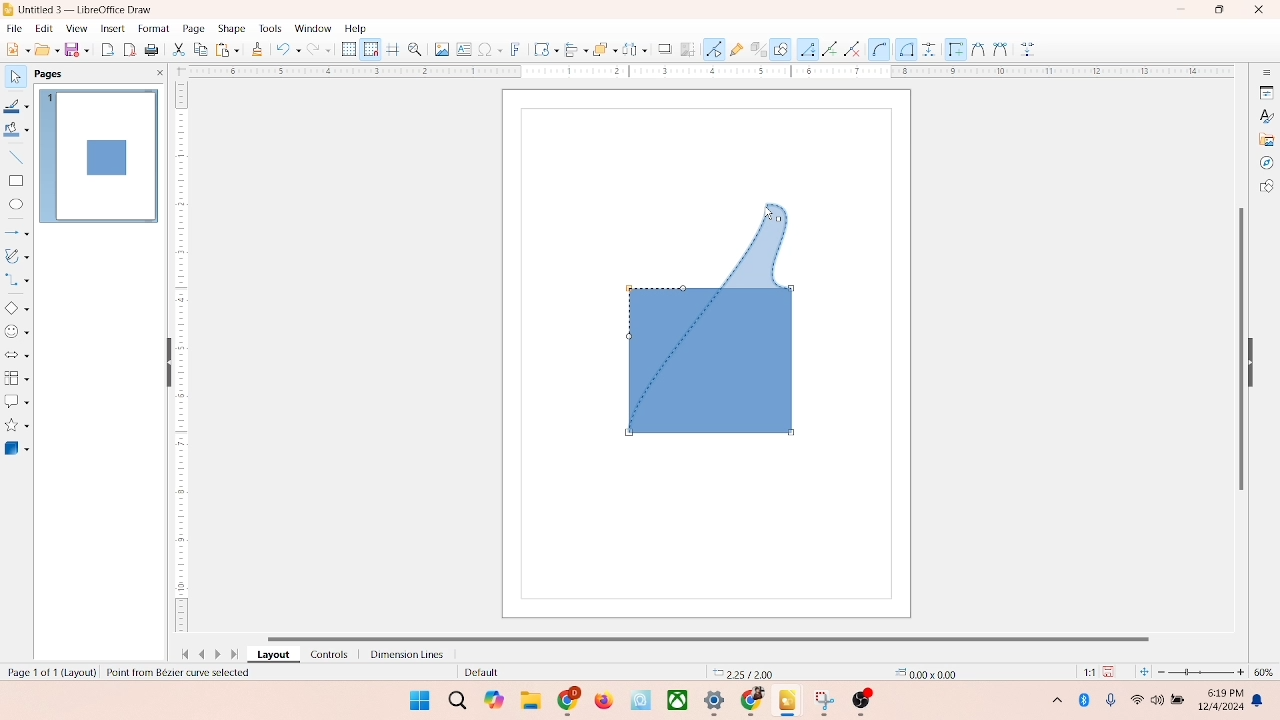 Image resolution: width=1280 pixels, height=720 pixels. What do you see at coordinates (16, 133) in the screenshot?
I see `fill color` at bounding box center [16, 133].